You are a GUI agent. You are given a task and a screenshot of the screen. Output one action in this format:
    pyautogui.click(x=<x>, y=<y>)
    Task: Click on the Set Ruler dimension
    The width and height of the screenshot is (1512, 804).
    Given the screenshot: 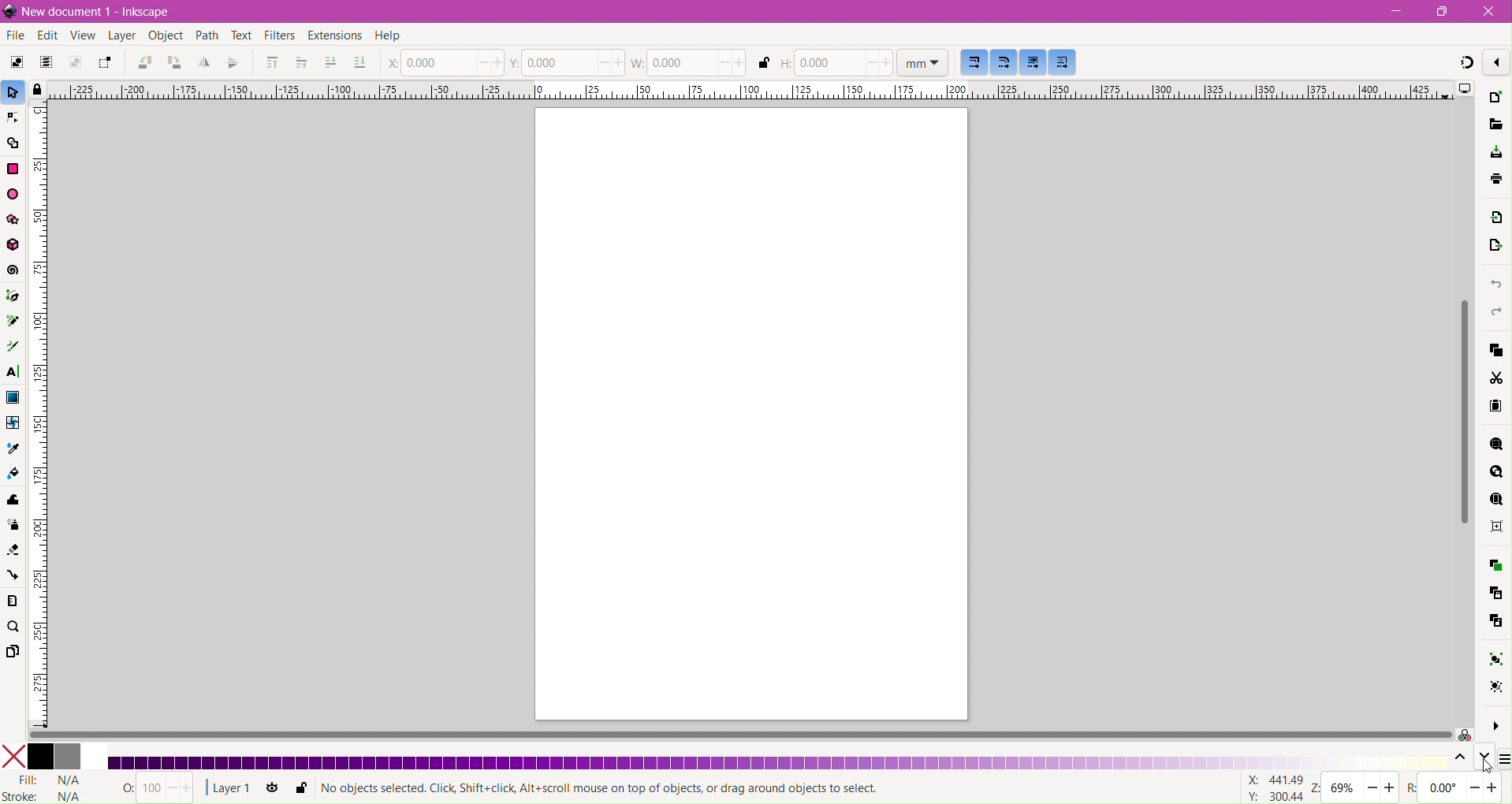 What is the action you would take?
    pyautogui.click(x=922, y=62)
    